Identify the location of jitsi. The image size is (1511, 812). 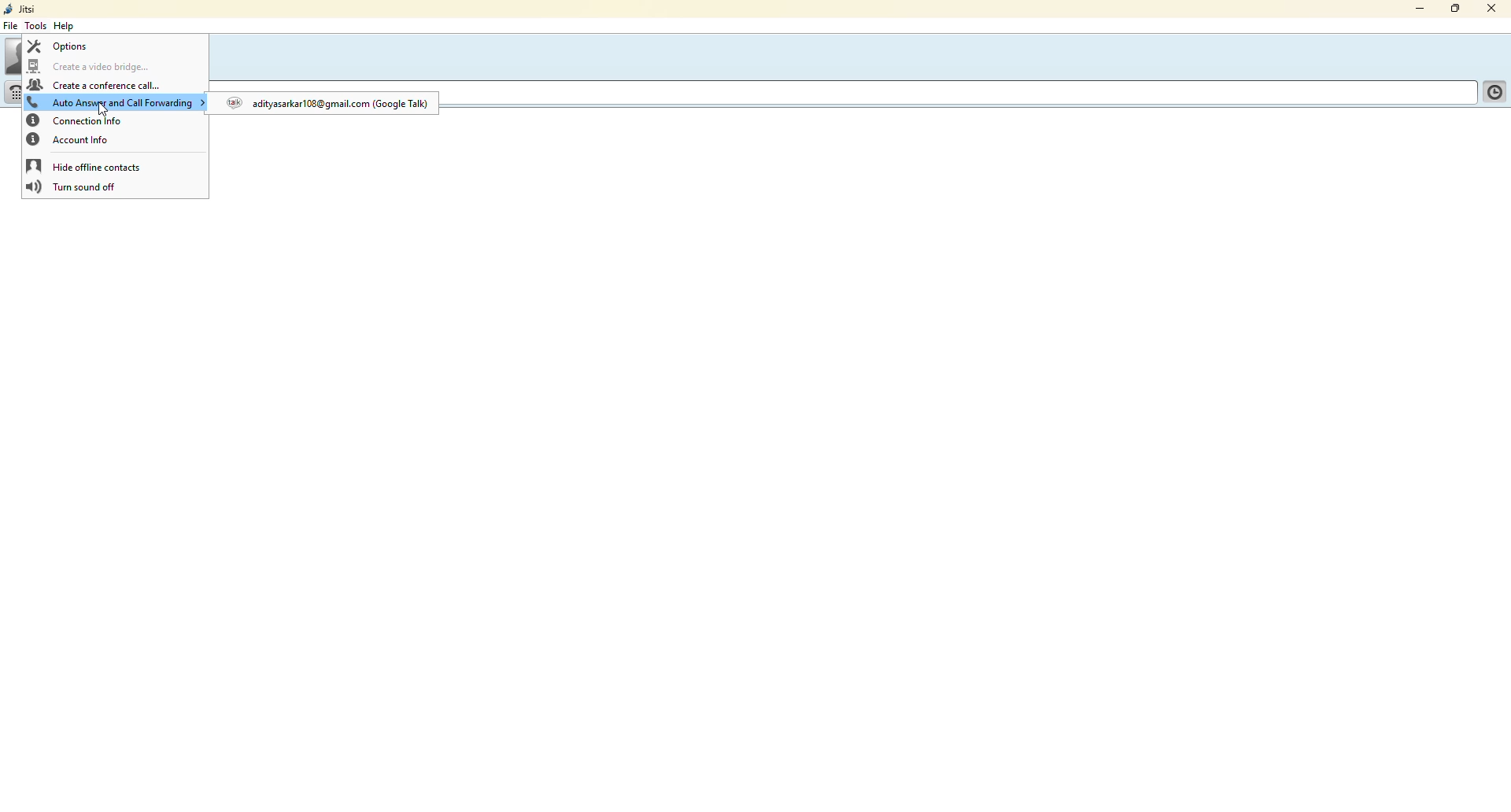
(22, 9).